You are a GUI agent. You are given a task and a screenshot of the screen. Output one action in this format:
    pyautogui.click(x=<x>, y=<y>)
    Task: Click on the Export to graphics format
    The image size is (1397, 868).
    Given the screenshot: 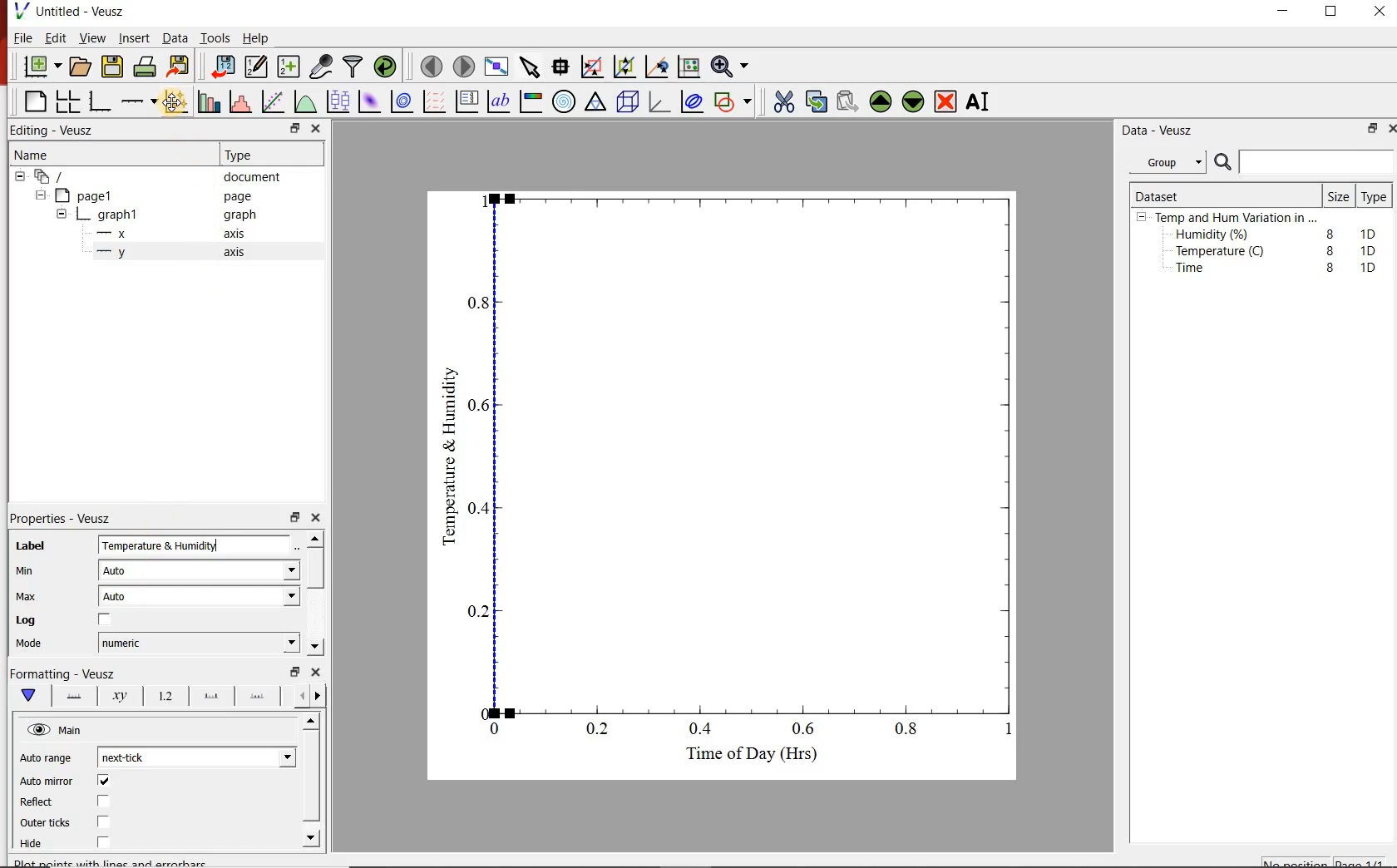 What is the action you would take?
    pyautogui.click(x=180, y=66)
    